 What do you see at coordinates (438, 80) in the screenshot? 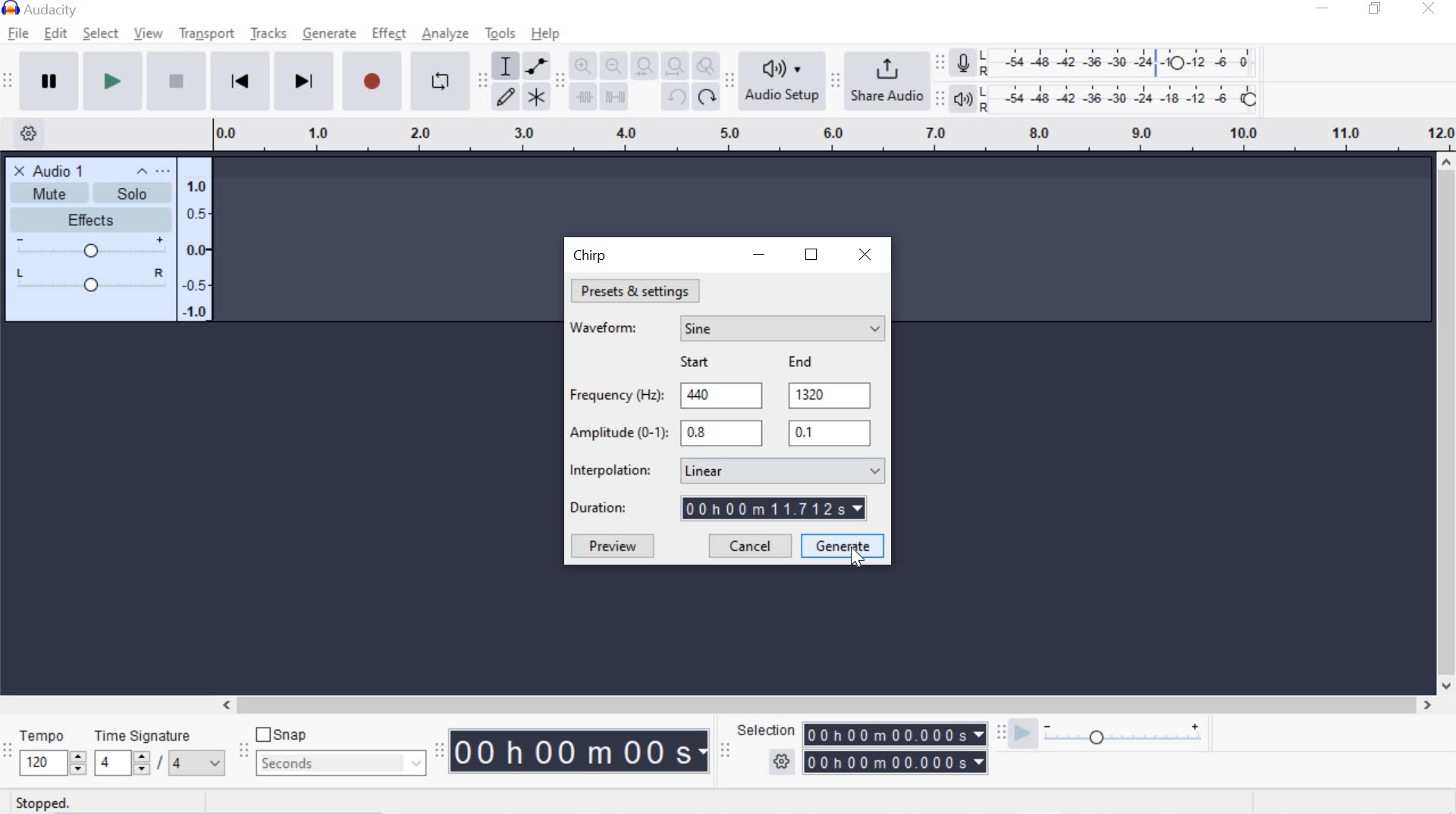
I see `Enable Looping` at bounding box center [438, 80].